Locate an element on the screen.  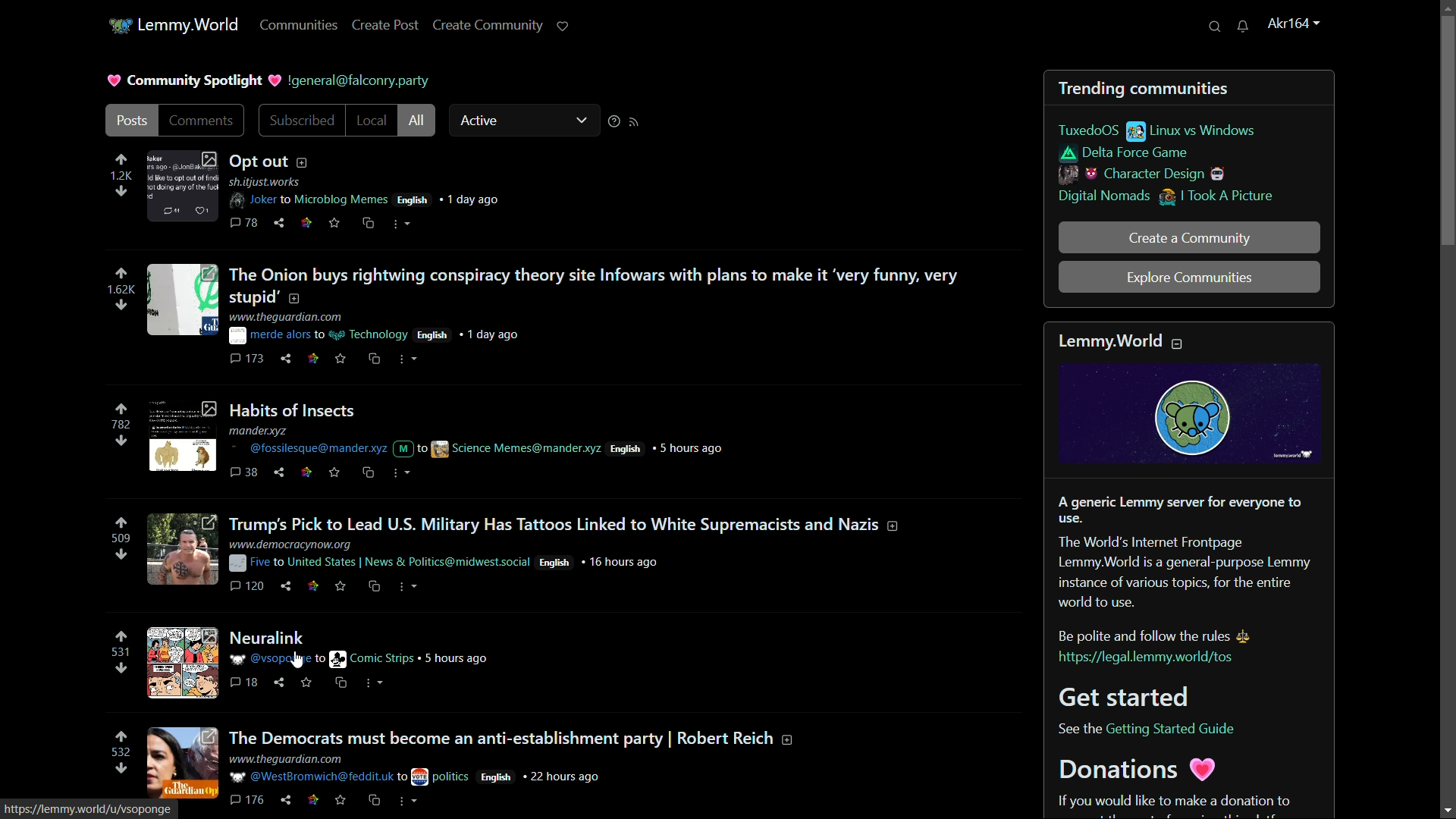
upvote is located at coordinates (121, 273).